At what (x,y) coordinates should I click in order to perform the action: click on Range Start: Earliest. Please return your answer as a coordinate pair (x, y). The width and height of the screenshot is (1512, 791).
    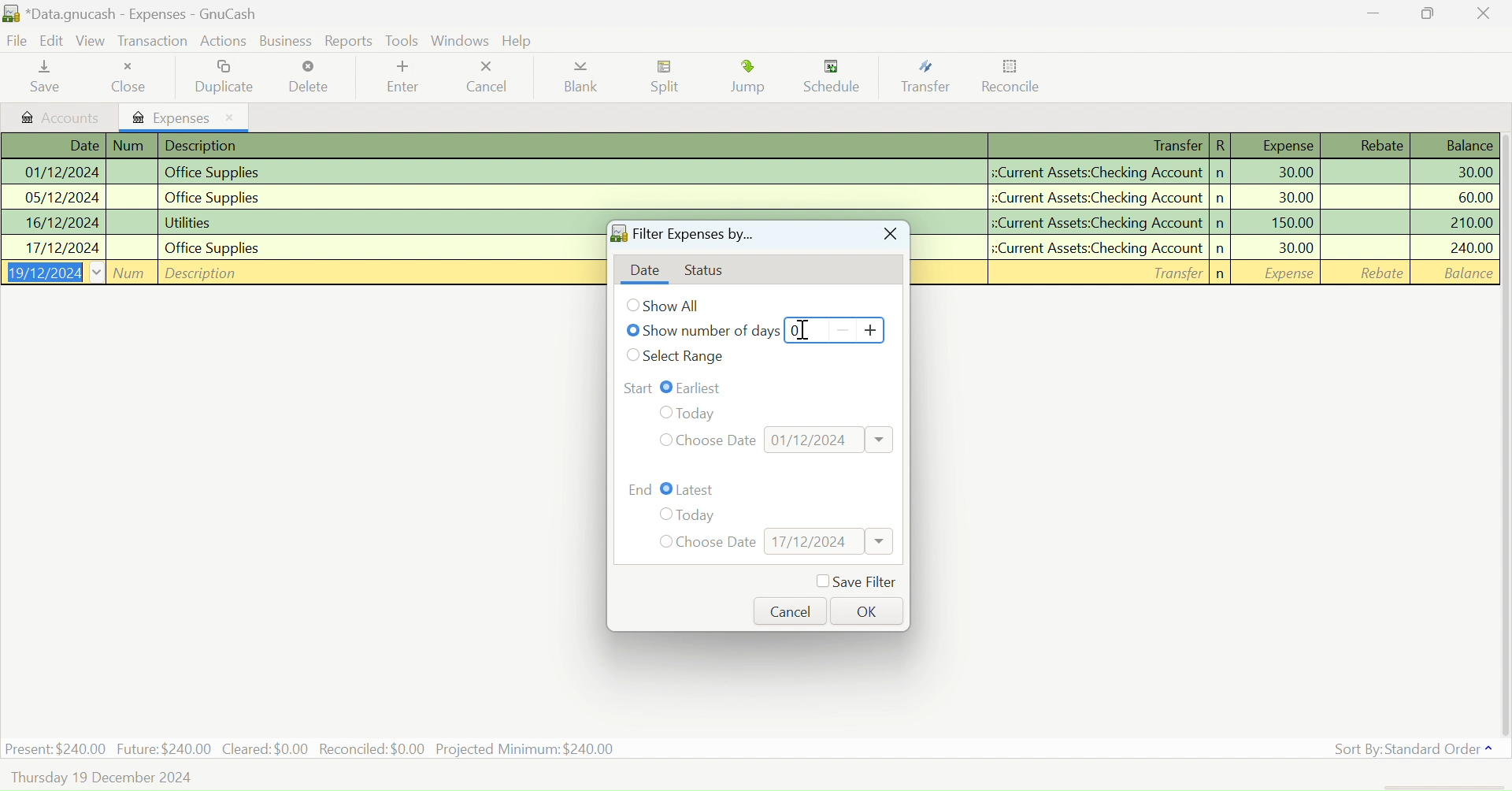
    Looking at the image, I should click on (637, 387).